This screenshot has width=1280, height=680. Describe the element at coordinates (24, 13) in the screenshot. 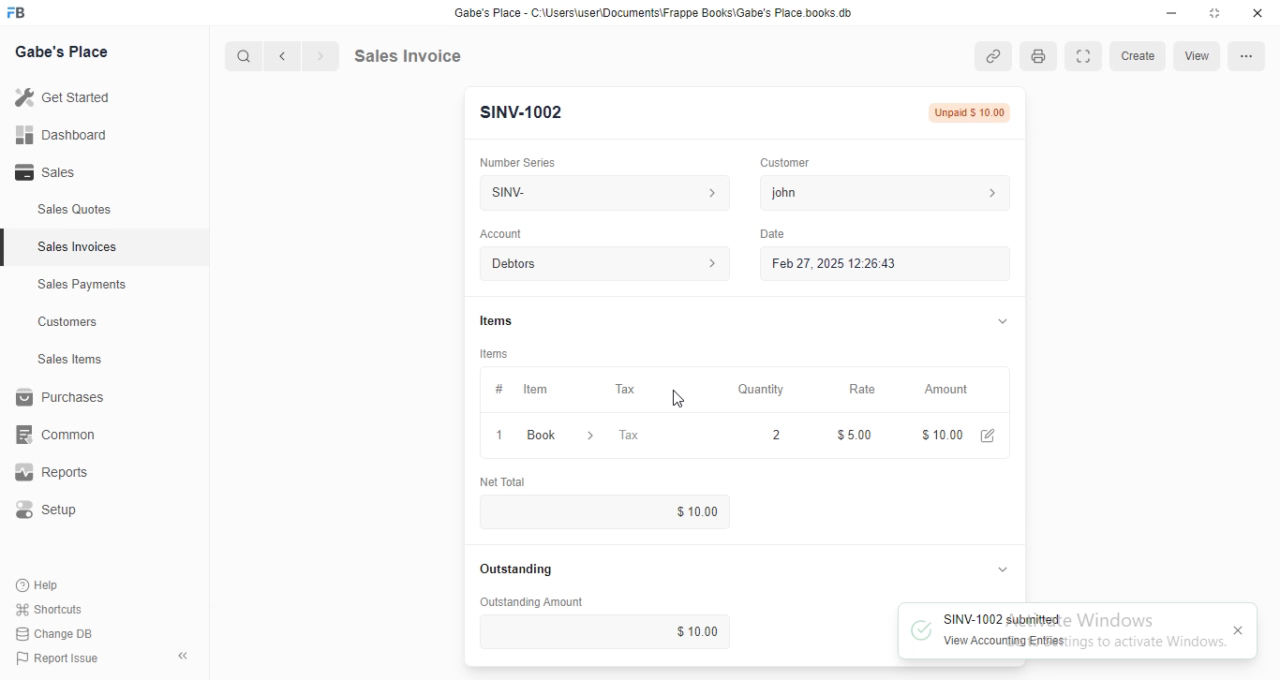

I see `Logo` at that location.